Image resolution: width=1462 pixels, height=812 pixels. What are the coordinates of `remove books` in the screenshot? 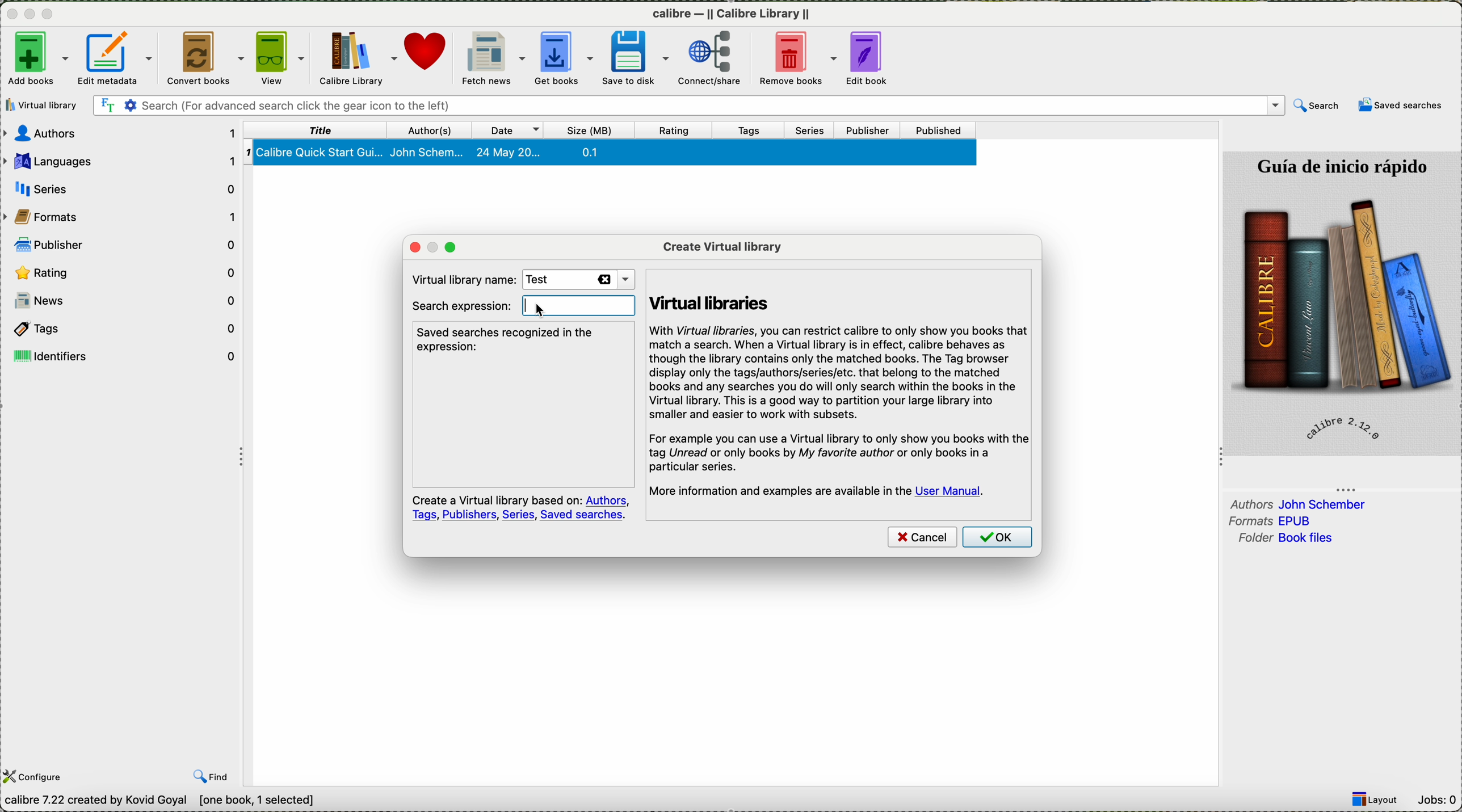 It's located at (802, 59).